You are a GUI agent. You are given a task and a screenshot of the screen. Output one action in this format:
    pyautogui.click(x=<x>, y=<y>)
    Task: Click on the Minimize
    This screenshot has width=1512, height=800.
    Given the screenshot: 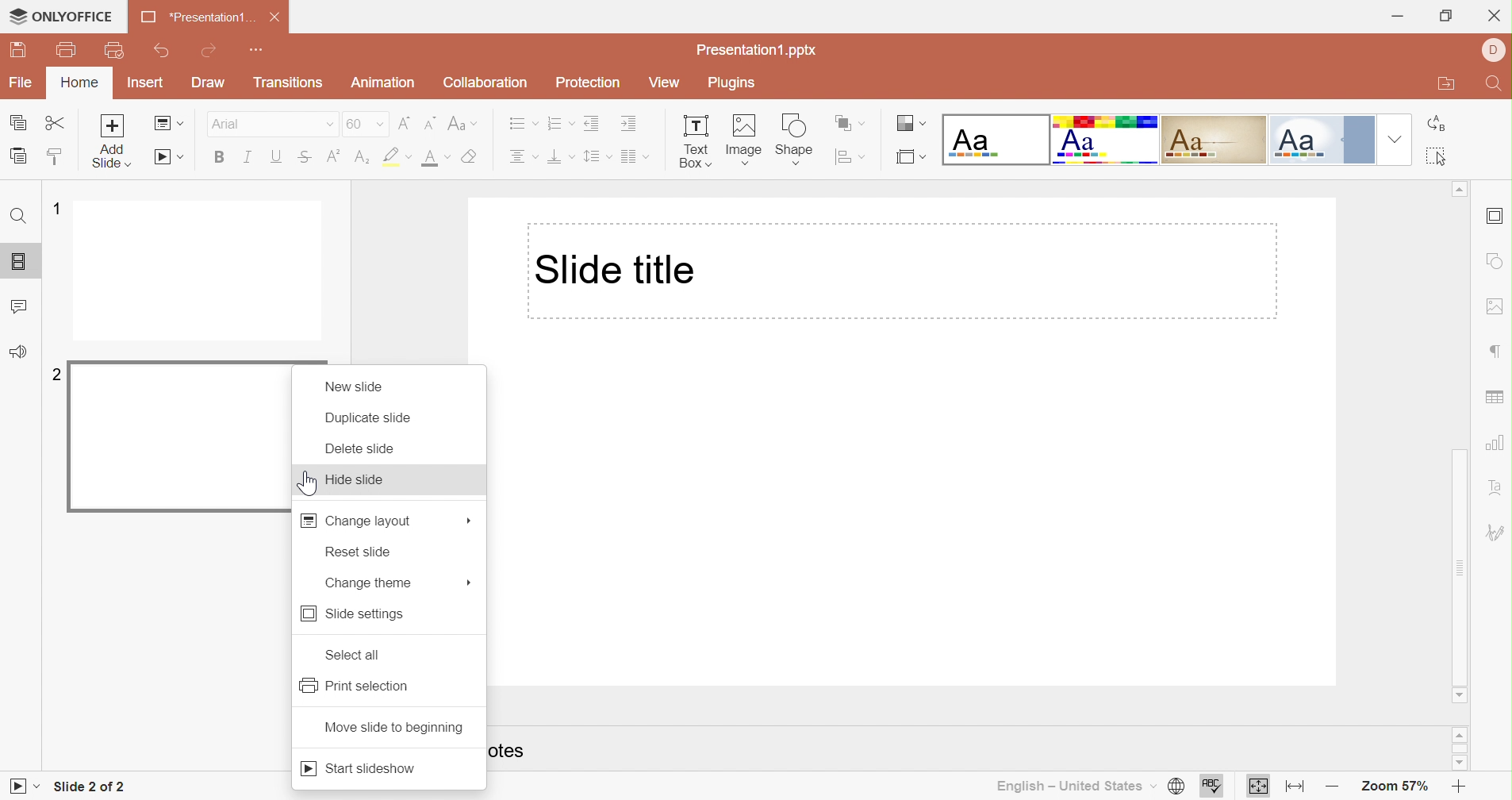 What is the action you would take?
    pyautogui.click(x=1397, y=15)
    